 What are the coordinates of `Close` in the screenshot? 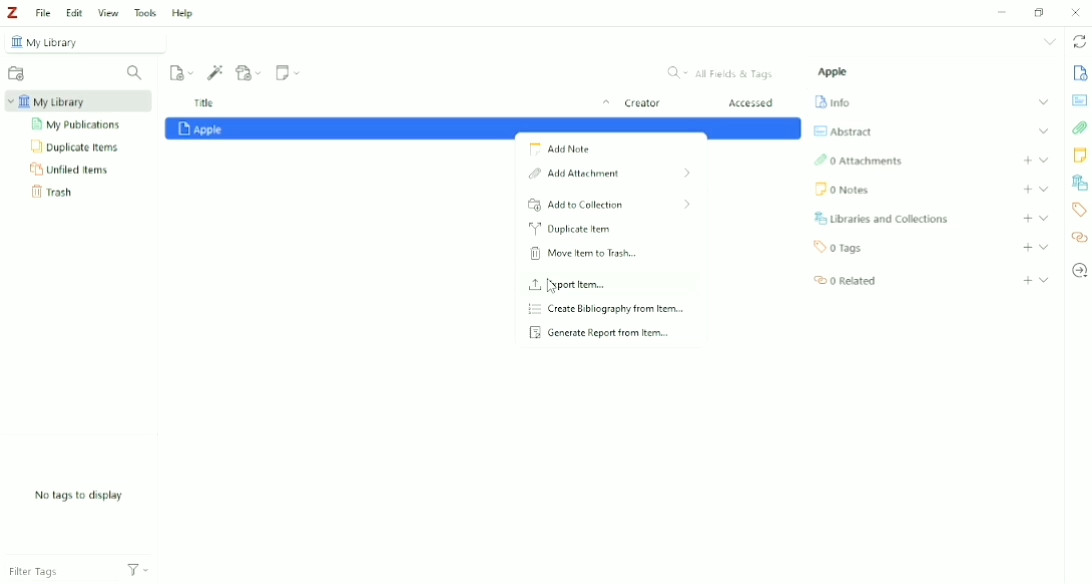 It's located at (1078, 12).